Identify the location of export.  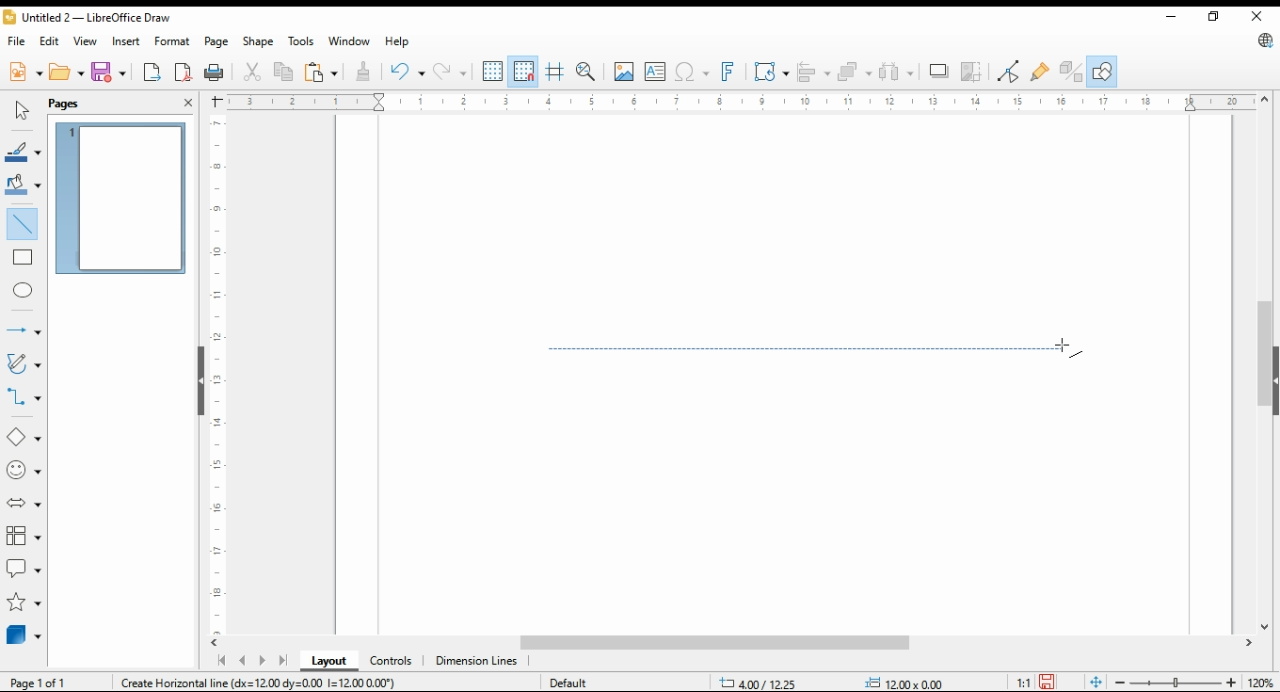
(153, 71).